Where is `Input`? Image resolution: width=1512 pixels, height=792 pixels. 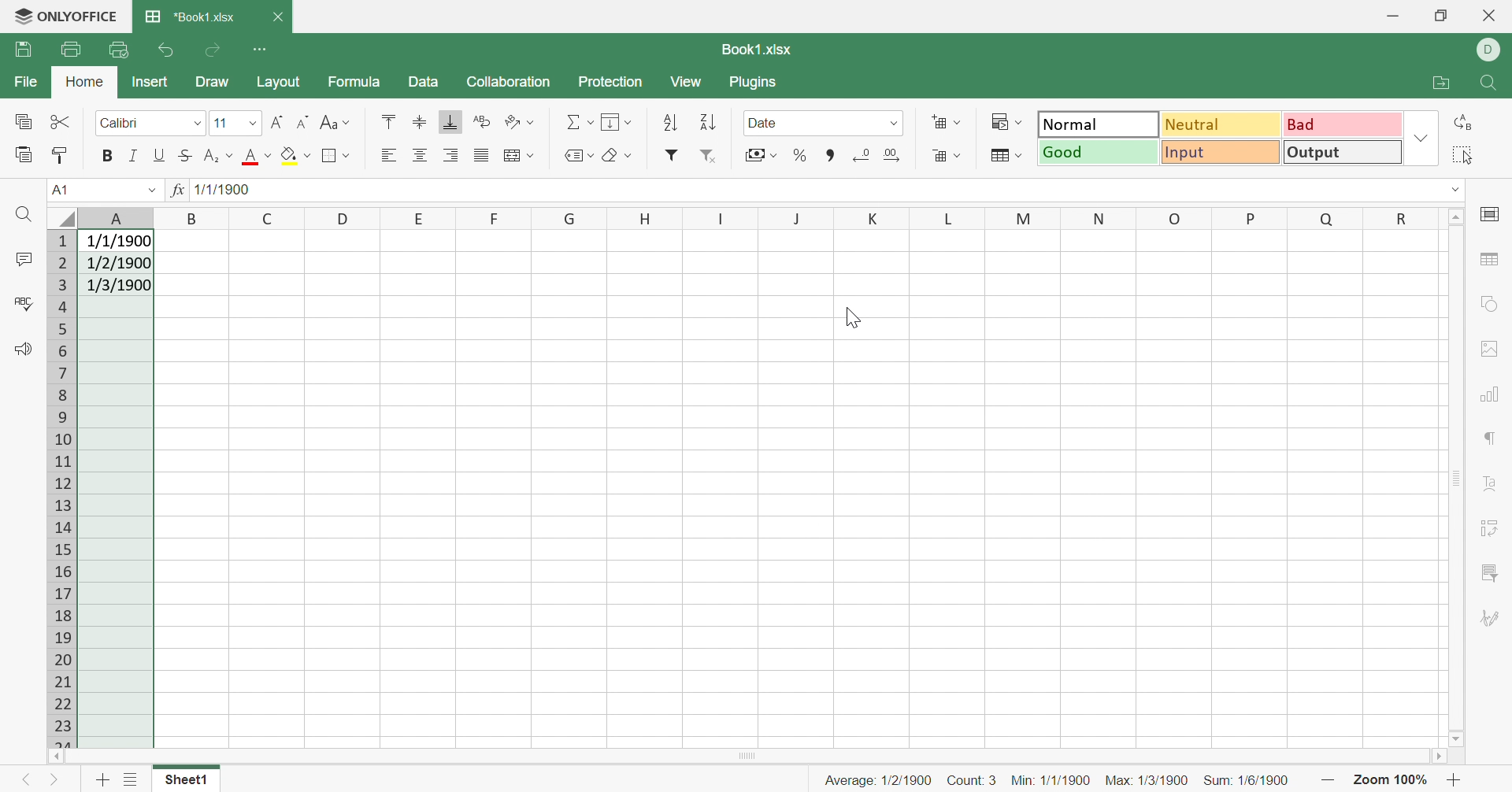
Input is located at coordinates (1222, 154).